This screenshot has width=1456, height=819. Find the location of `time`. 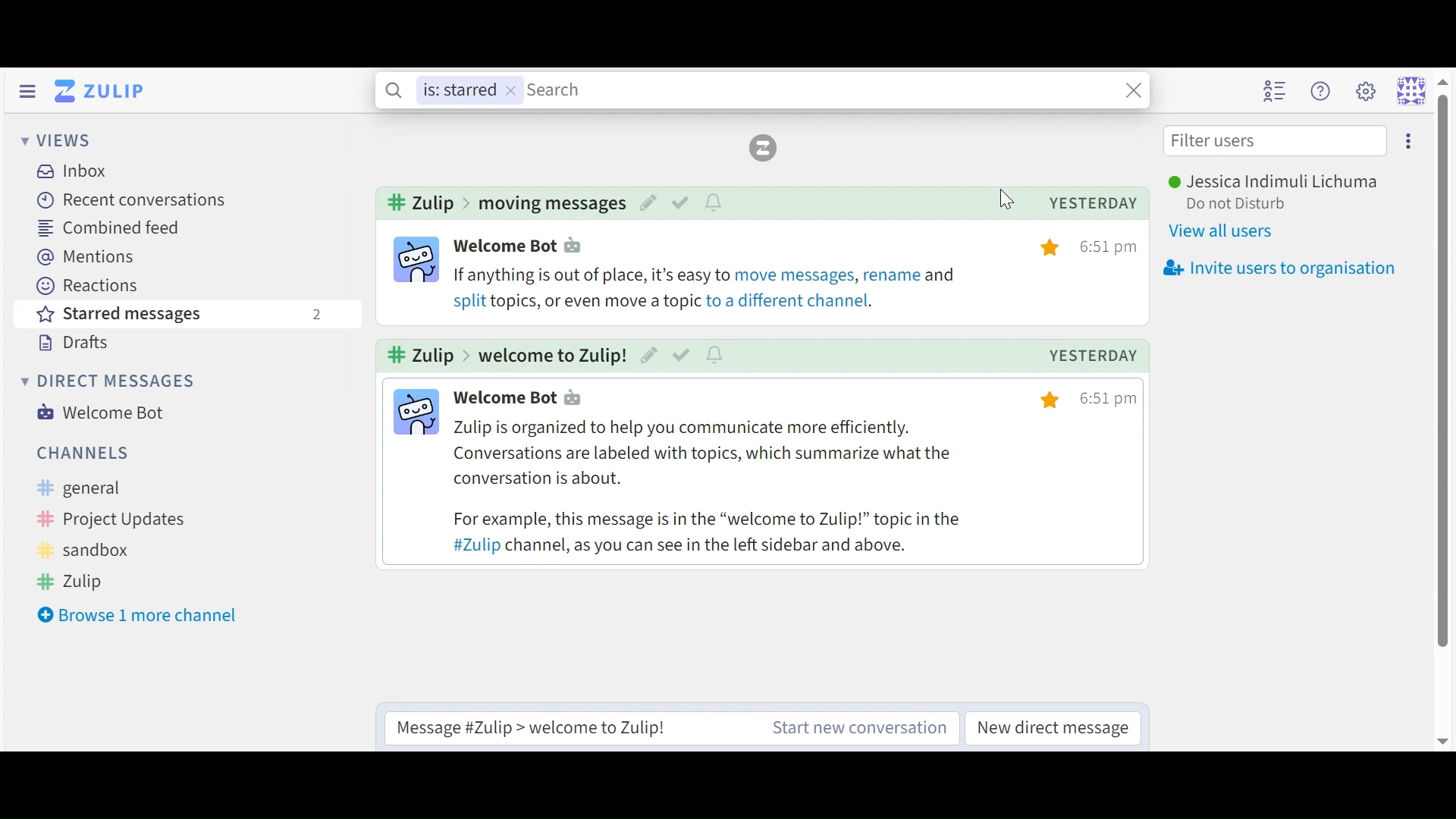

time is located at coordinates (1109, 248).